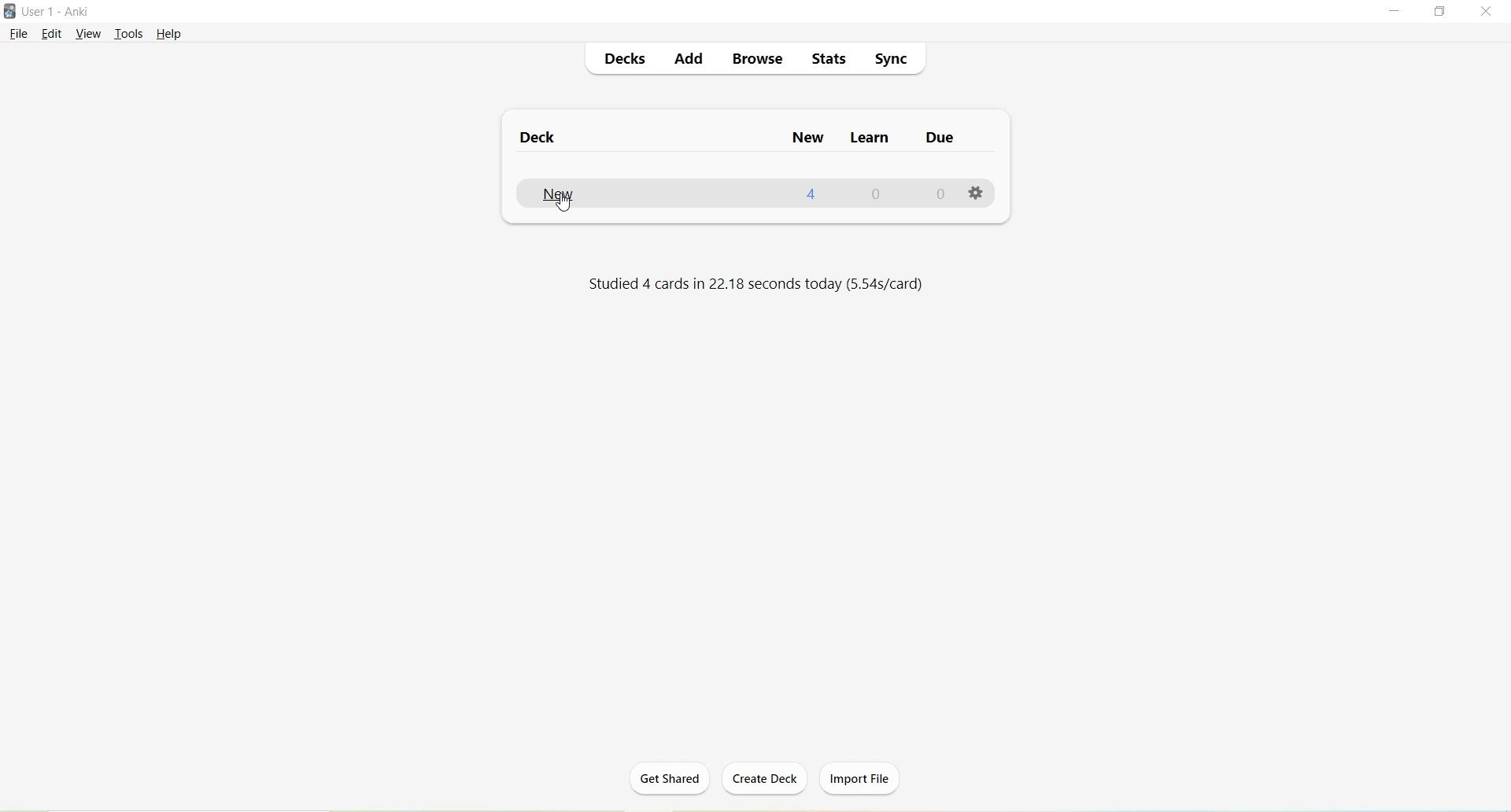 This screenshot has height=812, width=1511. What do you see at coordinates (763, 779) in the screenshot?
I see `Create deck` at bounding box center [763, 779].